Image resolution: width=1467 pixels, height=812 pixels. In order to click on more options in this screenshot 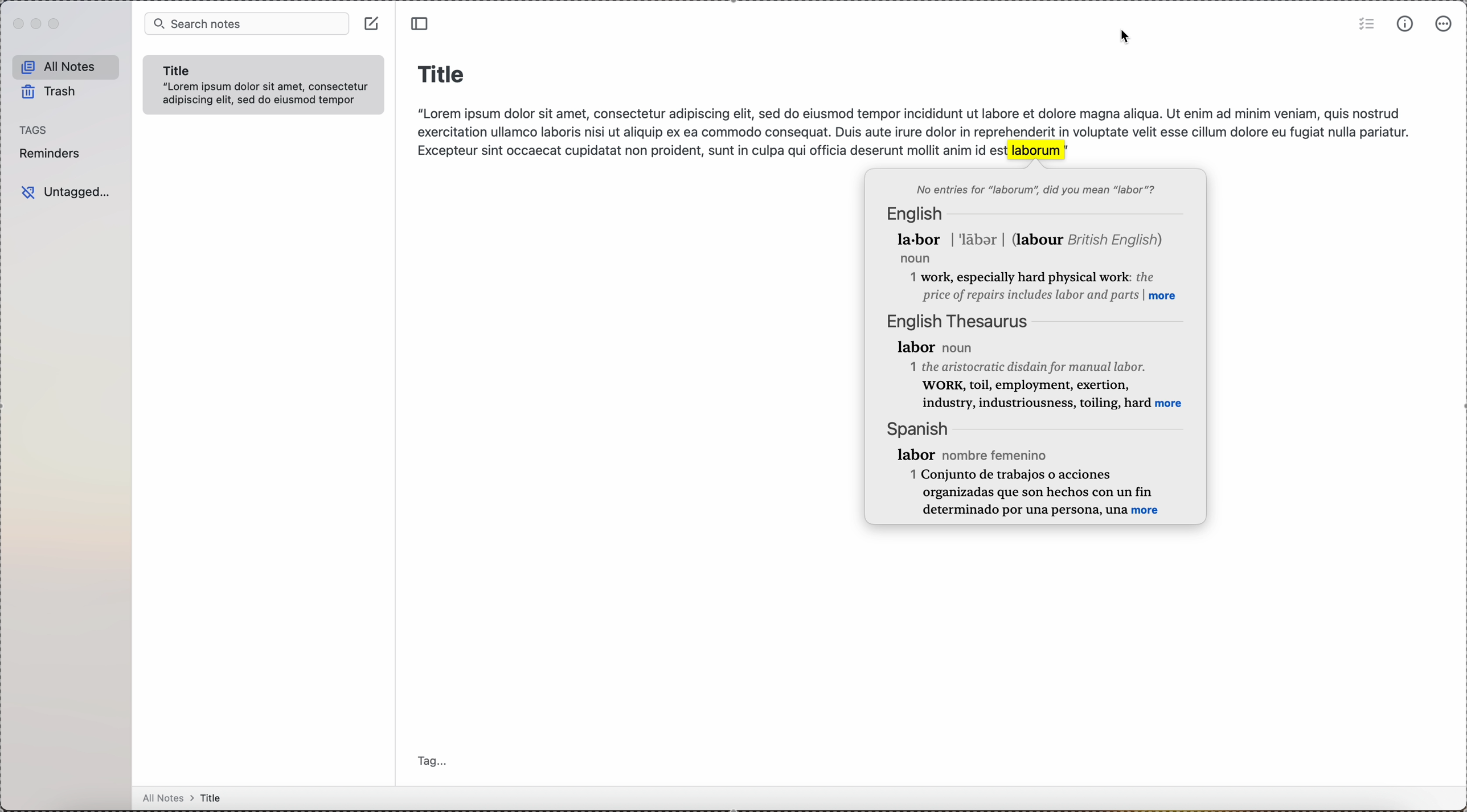, I will do `click(1445, 24)`.